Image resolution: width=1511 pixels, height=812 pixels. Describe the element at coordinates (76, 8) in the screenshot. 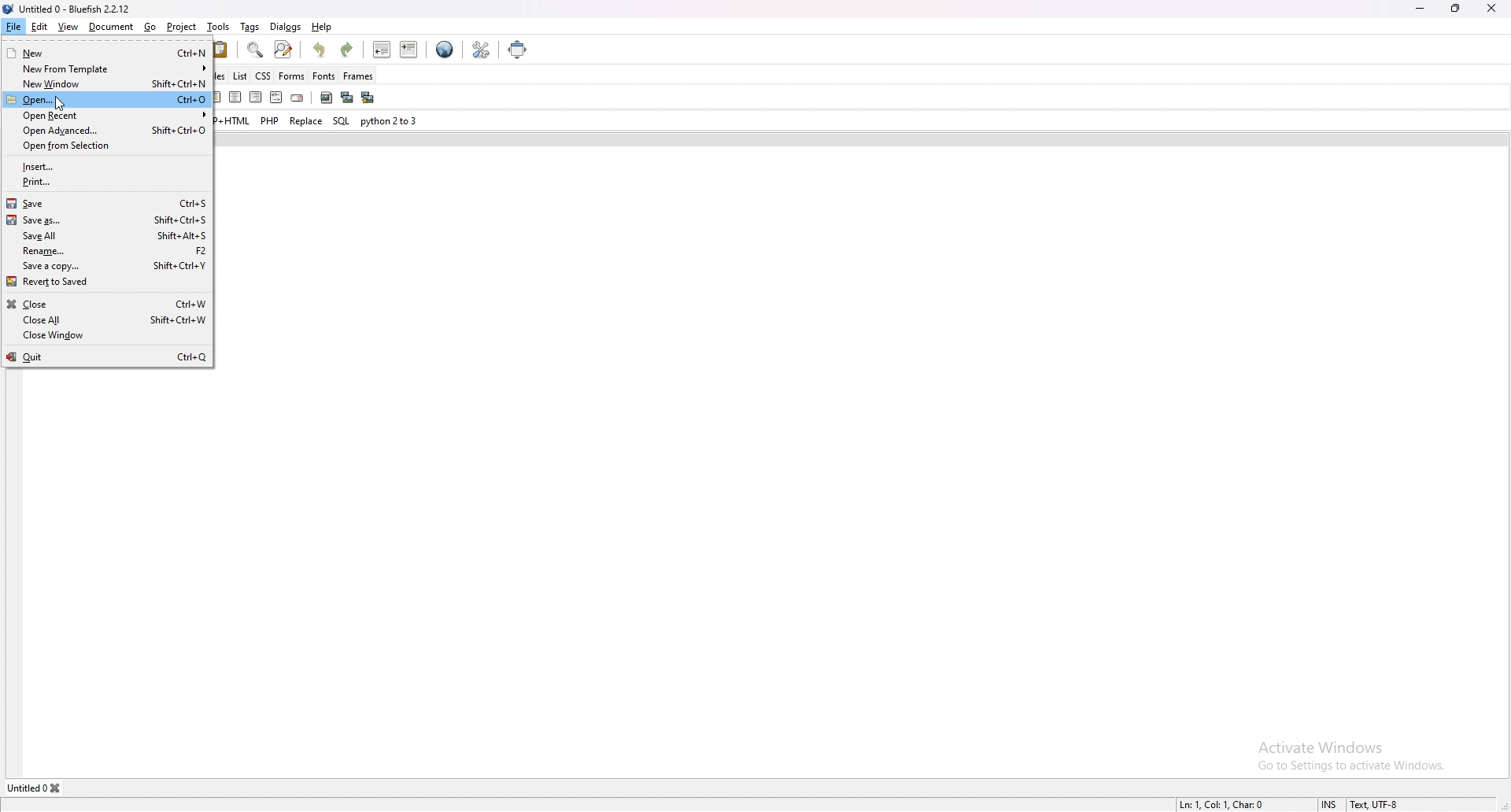

I see `Untitled 0 - Bluefish 2.2.12` at that location.